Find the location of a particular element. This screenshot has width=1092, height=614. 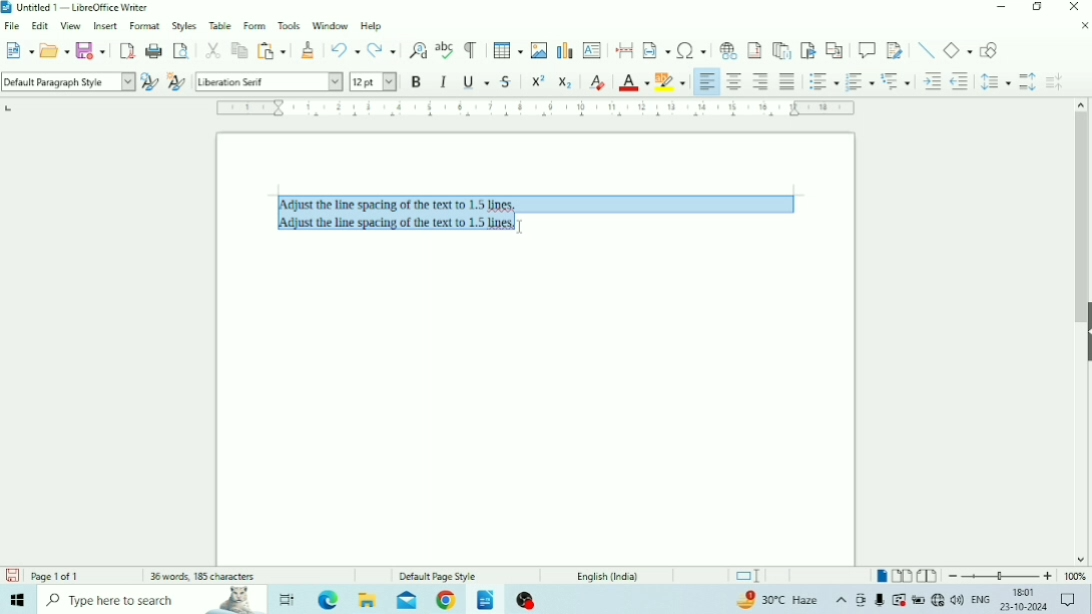

Styles is located at coordinates (184, 25).